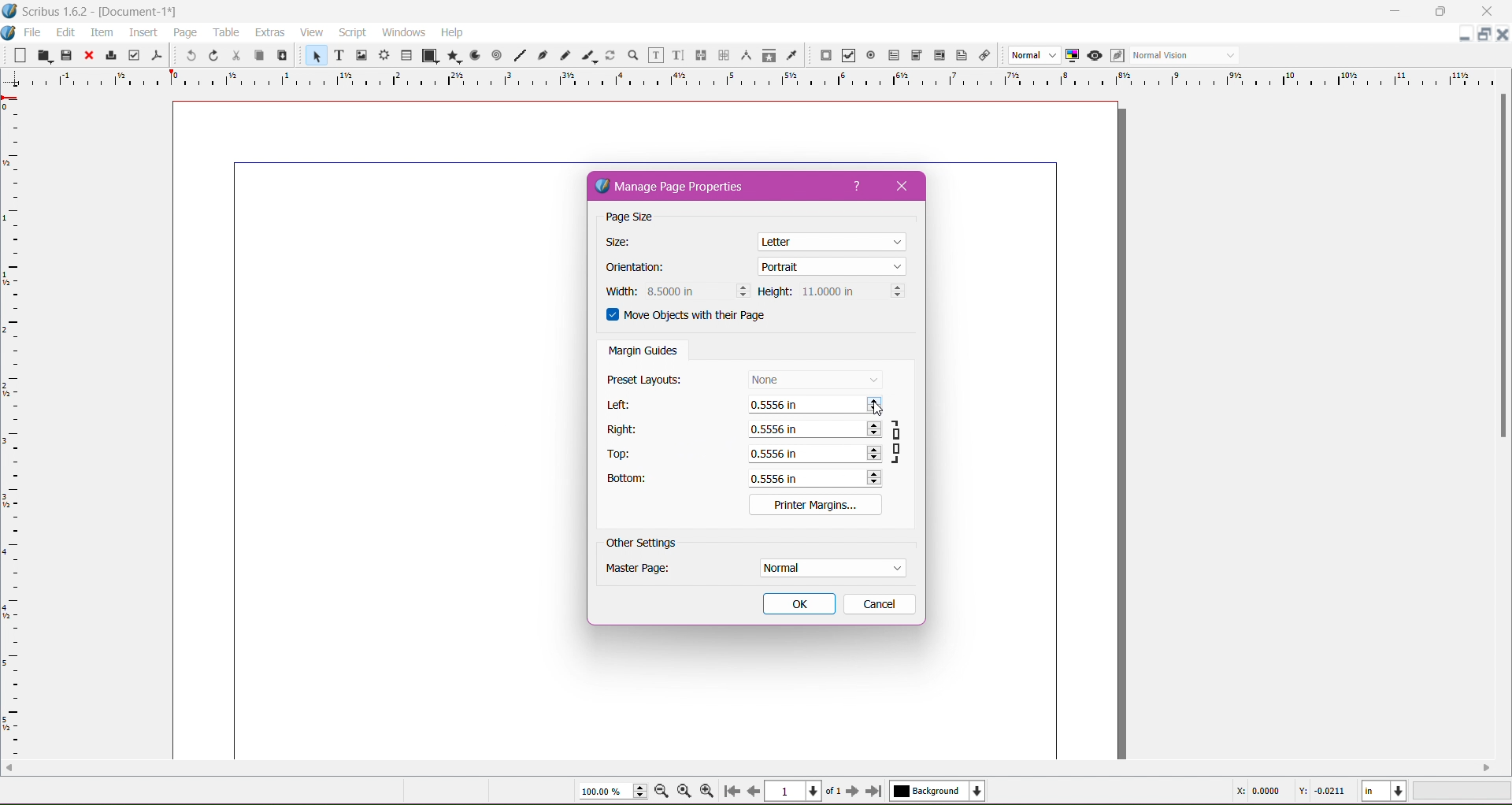 This screenshot has width=1512, height=805. What do you see at coordinates (143, 33) in the screenshot?
I see `Insert` at bounding box center [143, 33].